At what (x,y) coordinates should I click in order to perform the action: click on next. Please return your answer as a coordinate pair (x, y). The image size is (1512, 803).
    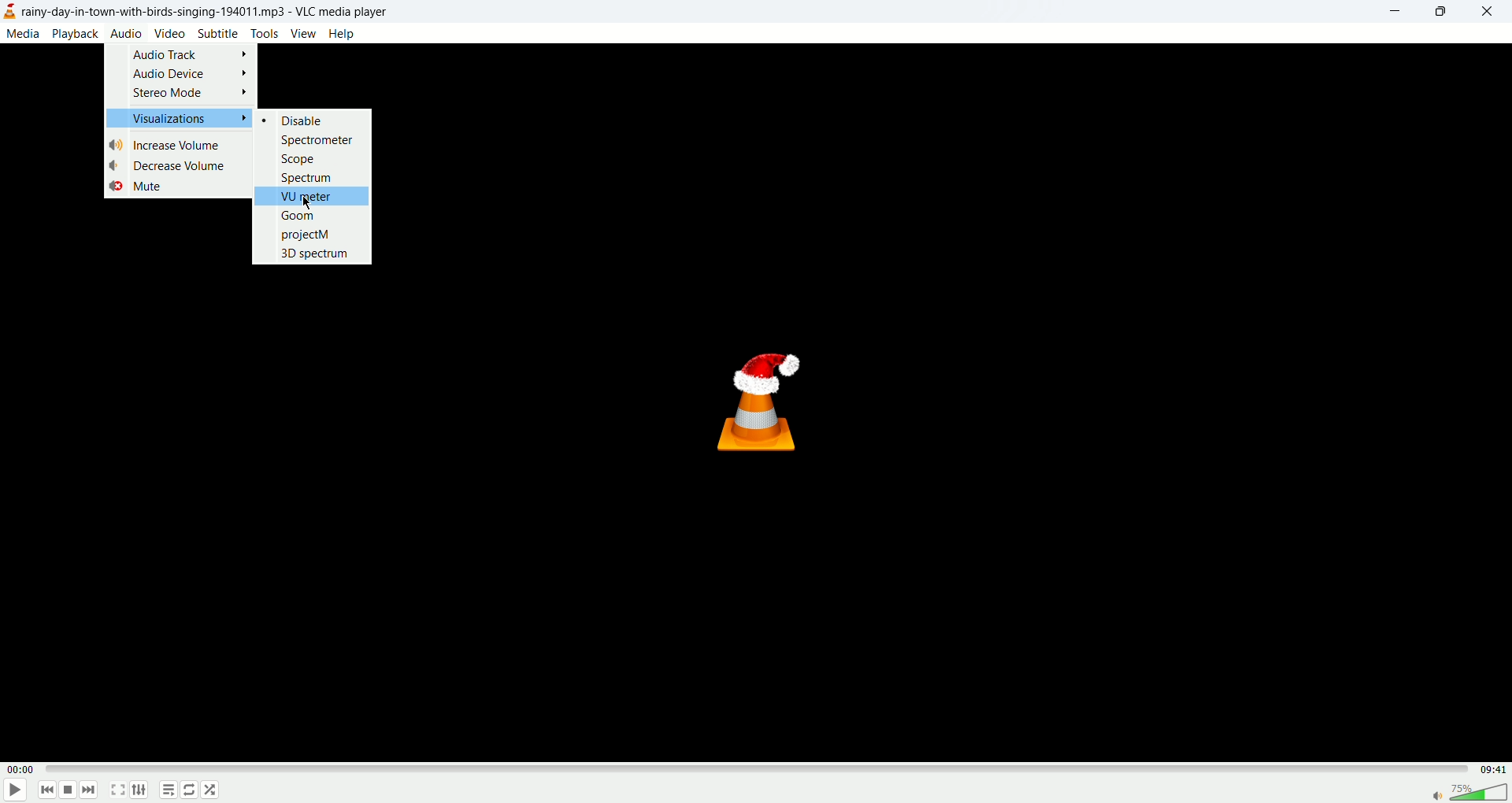
    Looking at the image, I should click on (92, 792).